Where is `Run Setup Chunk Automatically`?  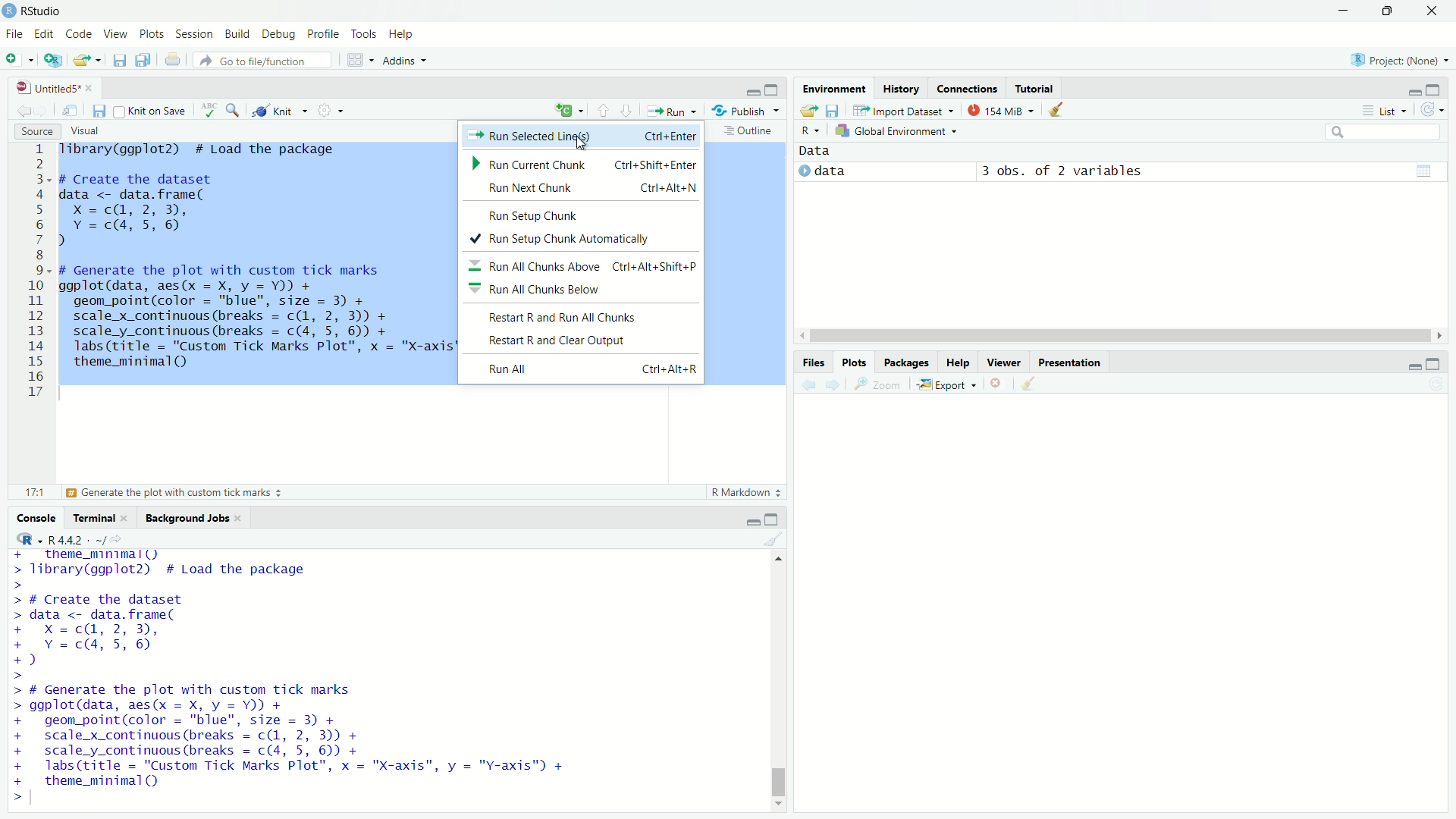
Run Setup Chunk Automatically is located at coordinates (580, 239).